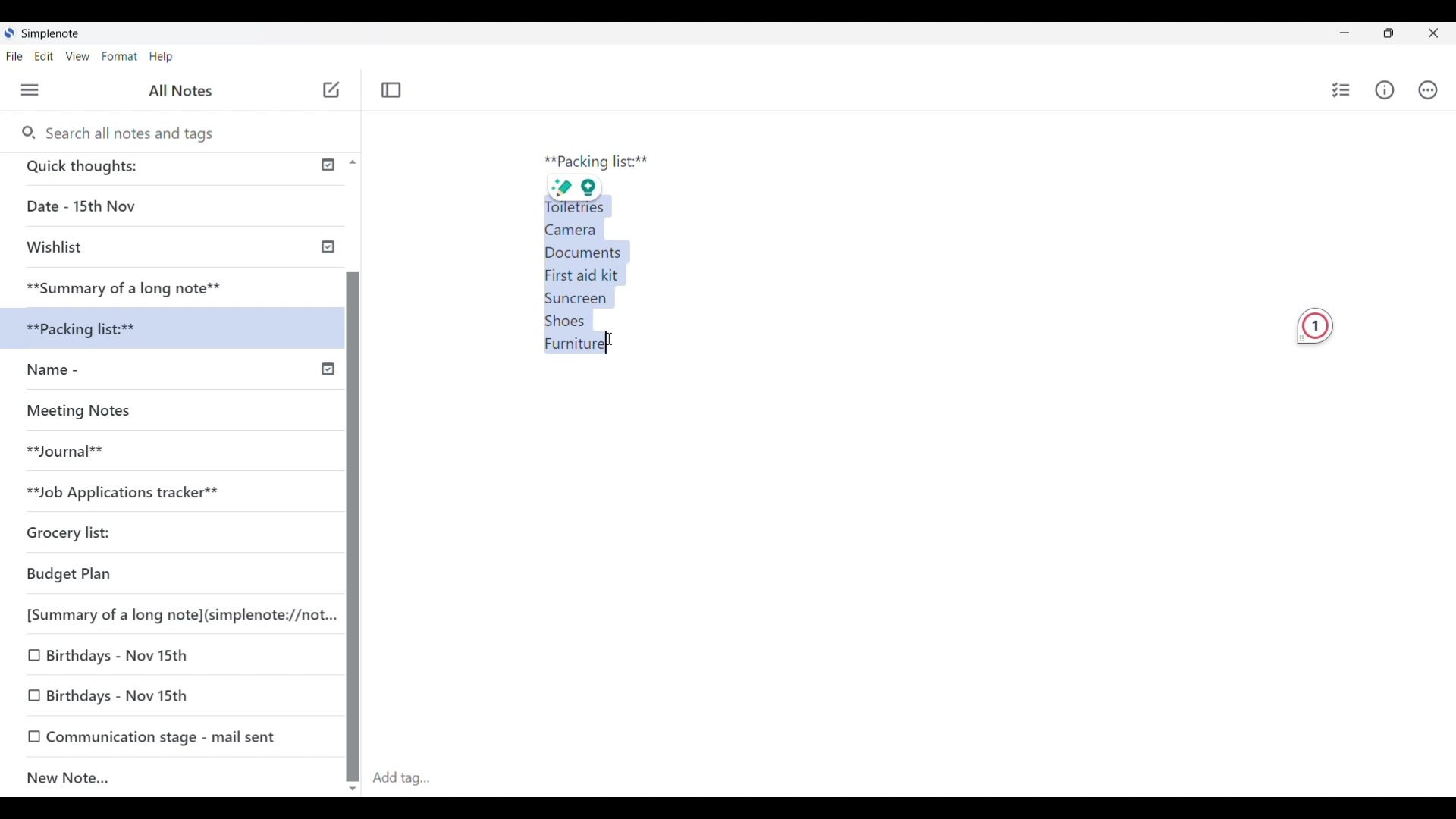 The height and width of the screenshot is (819, 1456). Describe the element at coordinates (133, 529) in the screenshot. I see `Grocery list` at that location.